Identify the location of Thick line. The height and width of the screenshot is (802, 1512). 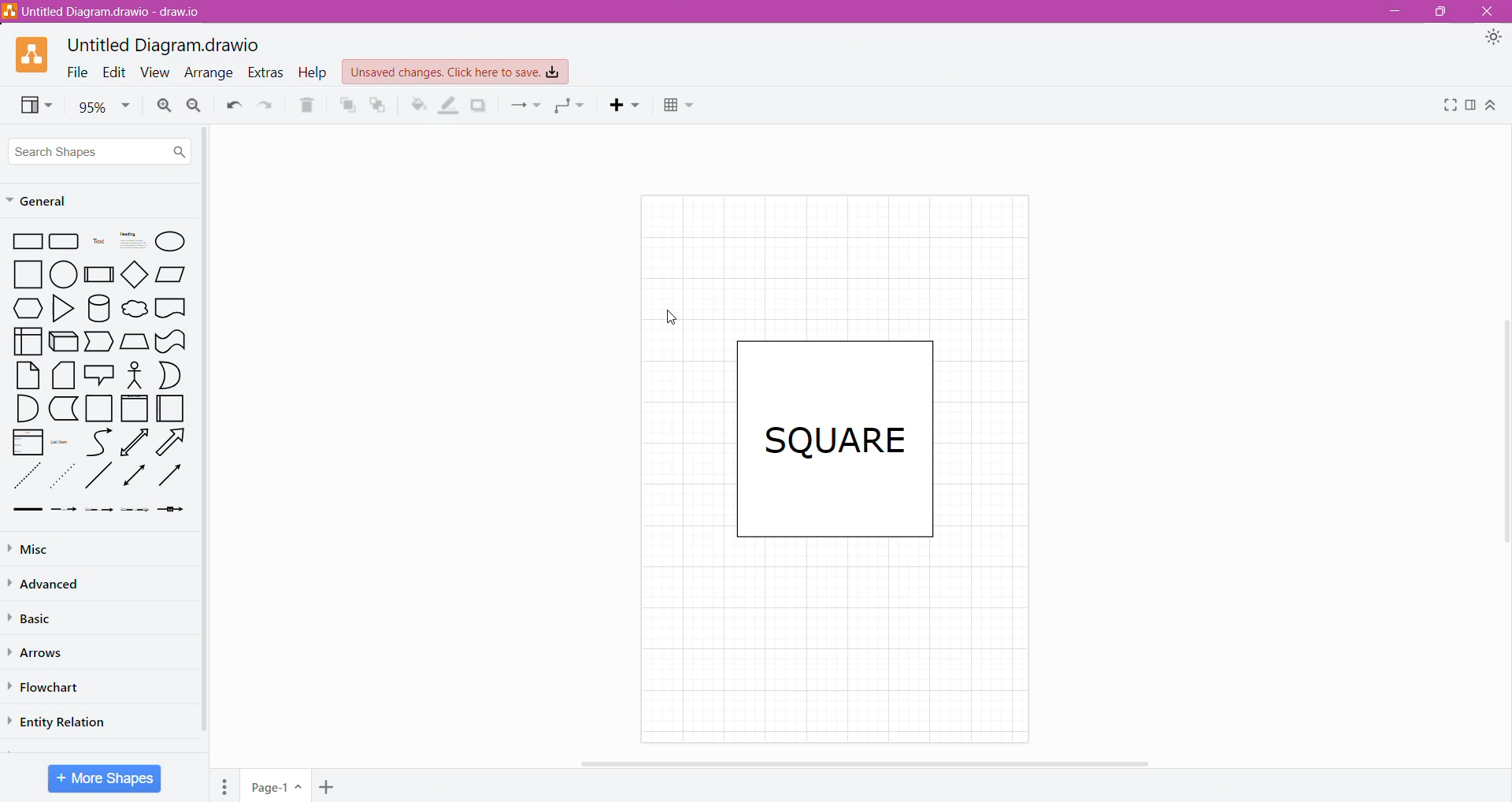
(27, 510).